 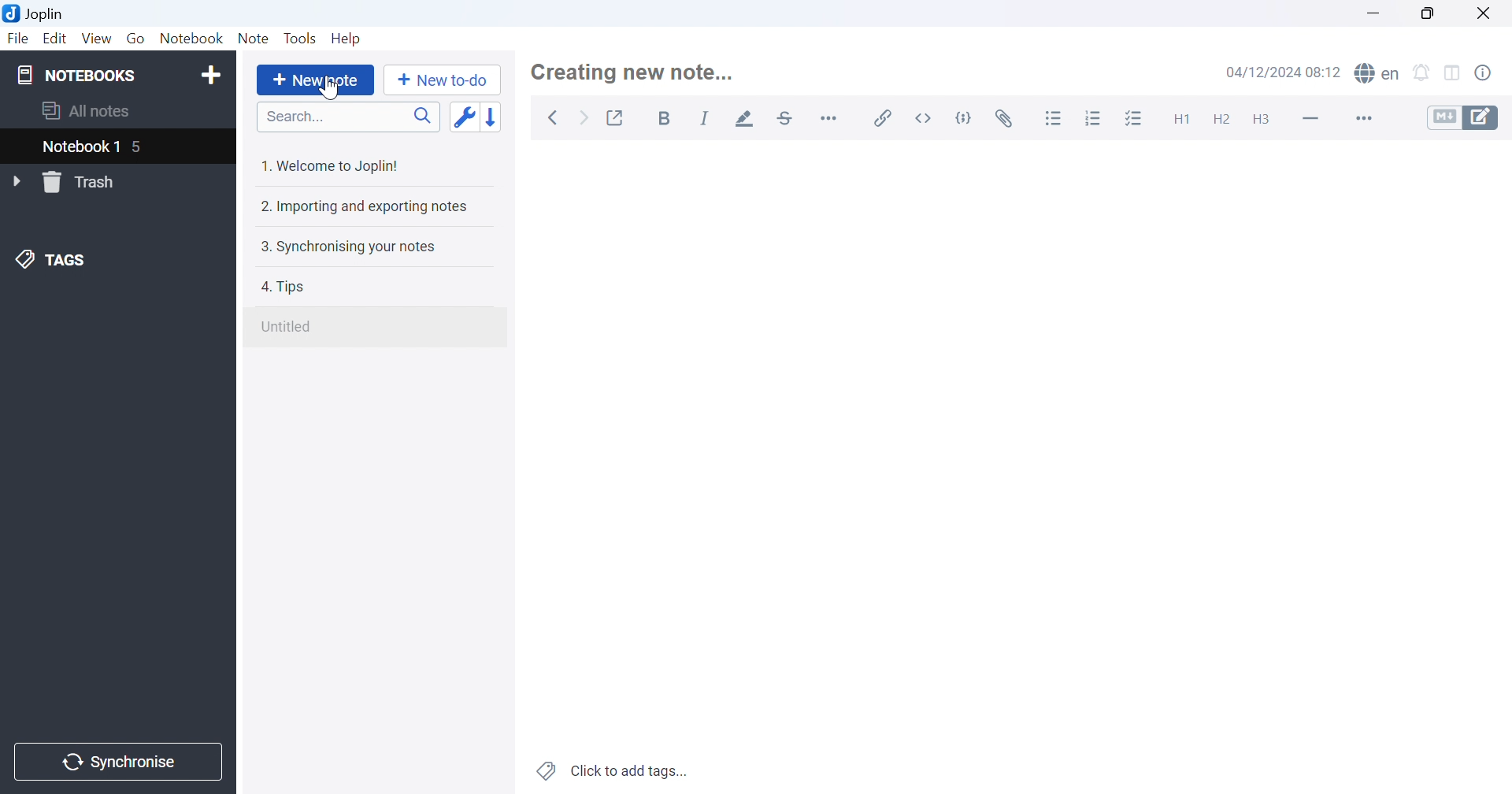 What do you see at coordinates (832, 118) in the screenshot?
I see `Horizontal` at bounding box center [832, 118].